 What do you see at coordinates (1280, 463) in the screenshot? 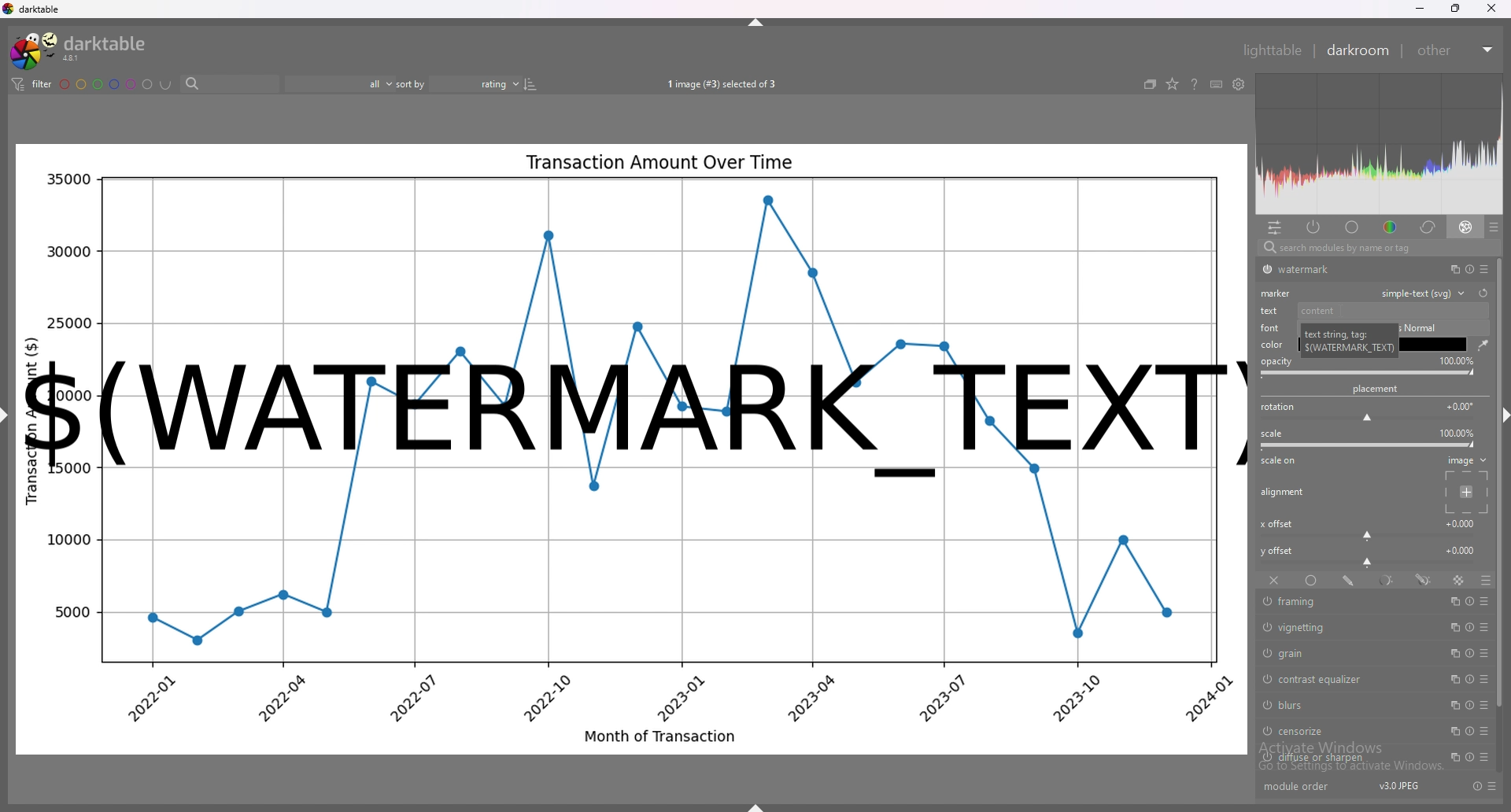
I see `scale on` at bounding box center [1280, 463].